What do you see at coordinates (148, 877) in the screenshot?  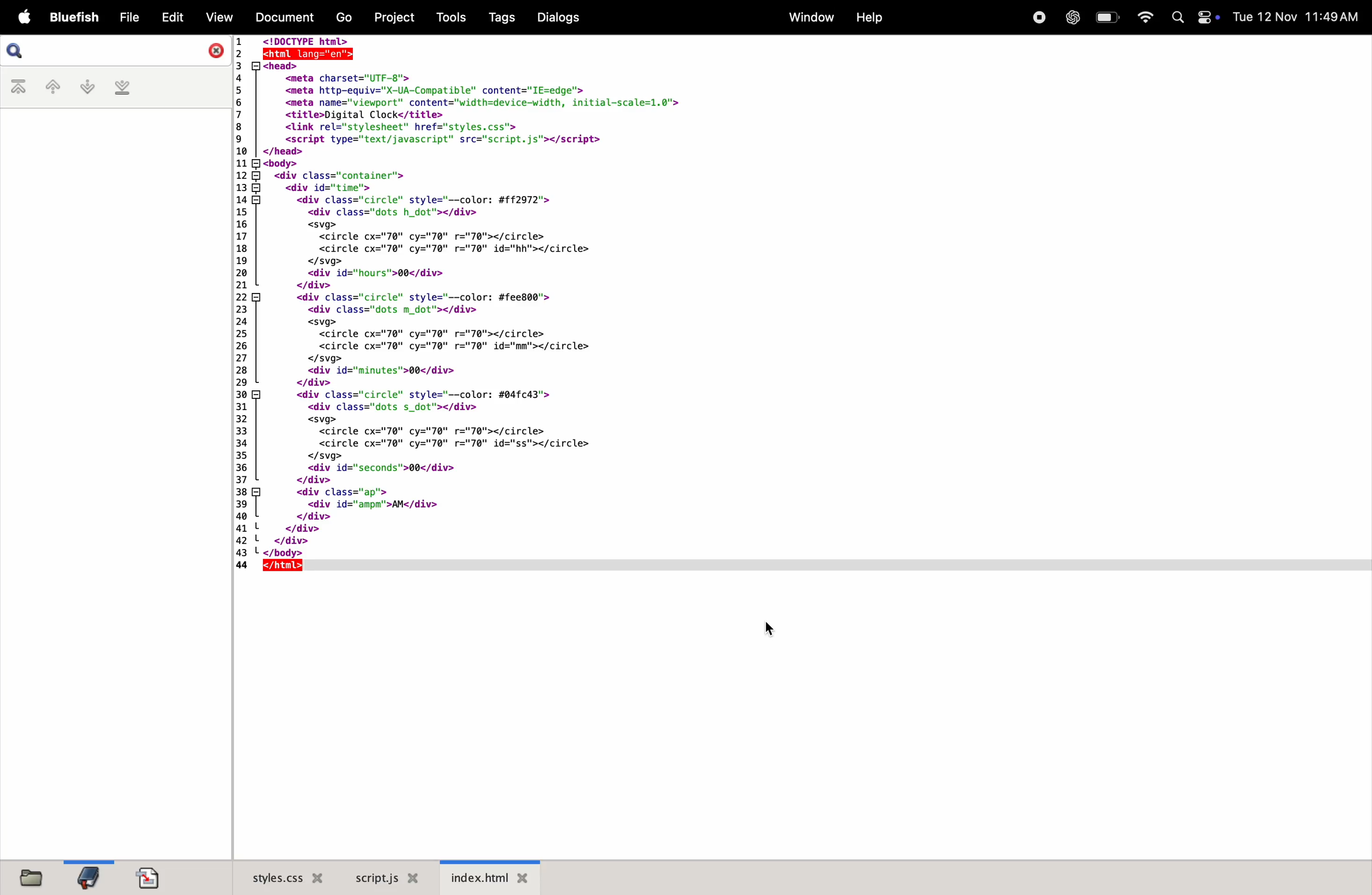 I see `import doc` at bounding box center [148, 877].